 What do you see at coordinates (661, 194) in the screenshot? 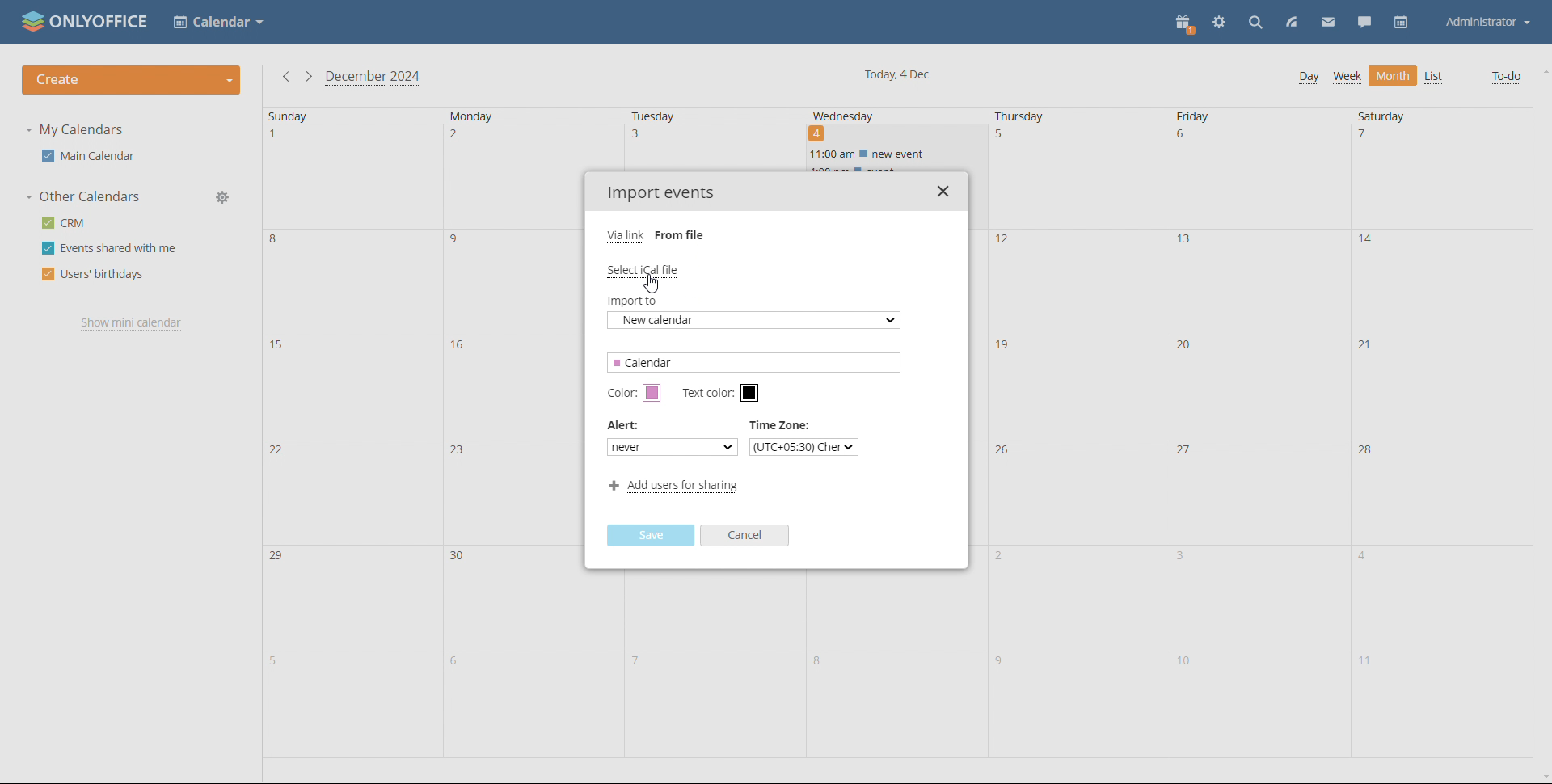
I see `import events` at bounding box center [661, 194].